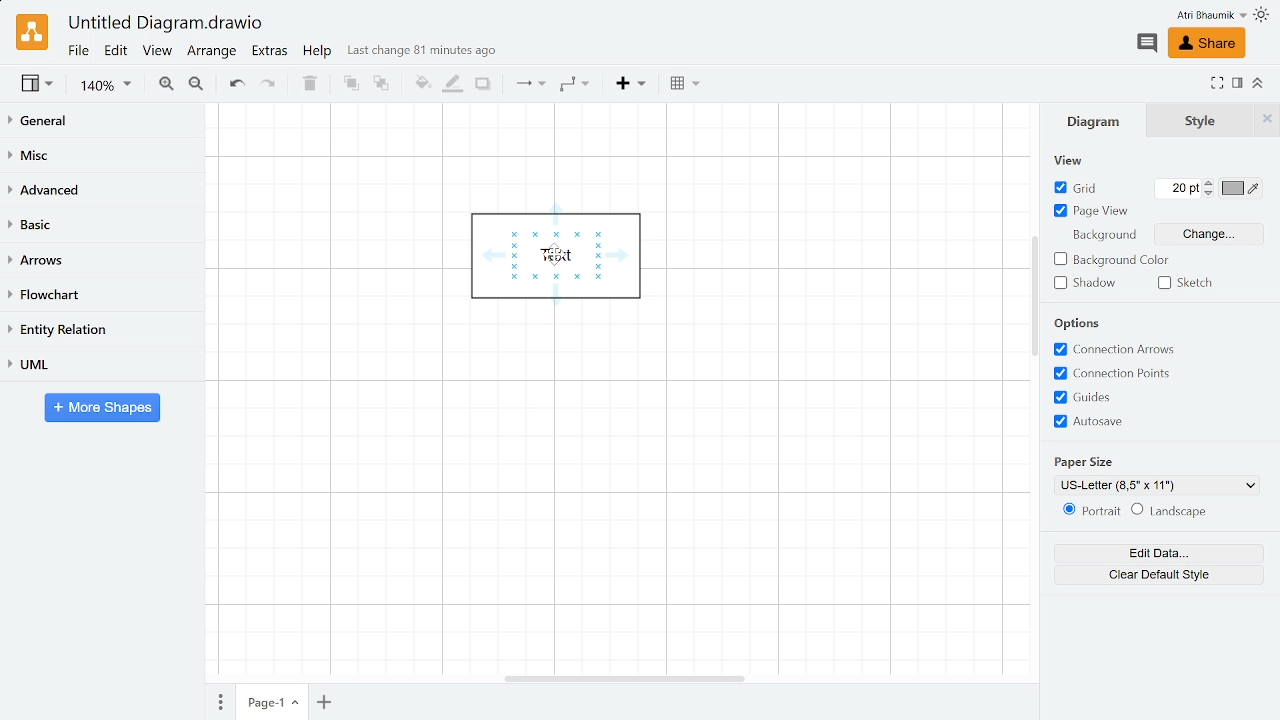 The width and height of the screenshot is (1280, 720). I want to click on Potrait, so click(1090, 514).